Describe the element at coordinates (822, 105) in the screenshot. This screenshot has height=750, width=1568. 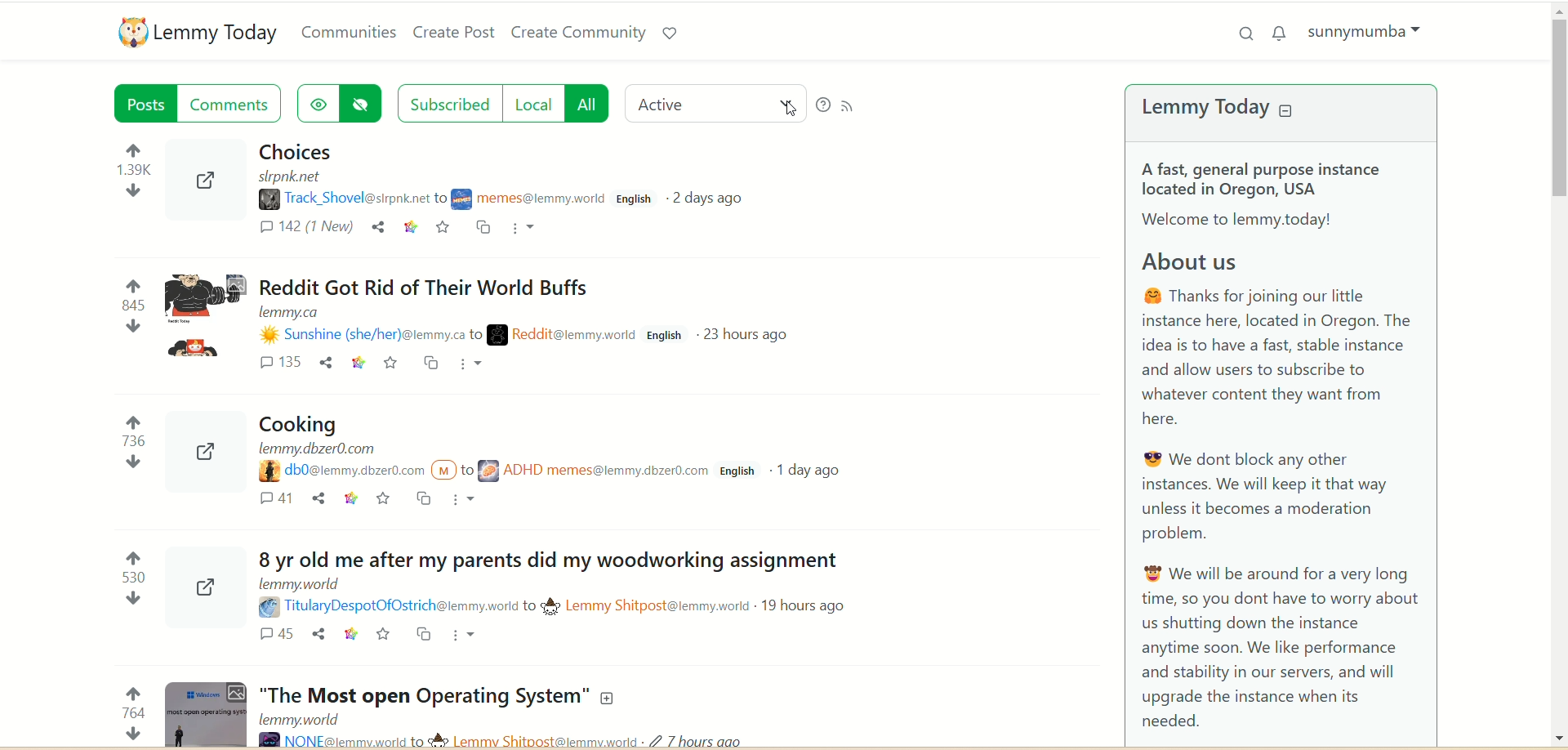
I see `help` at that location.